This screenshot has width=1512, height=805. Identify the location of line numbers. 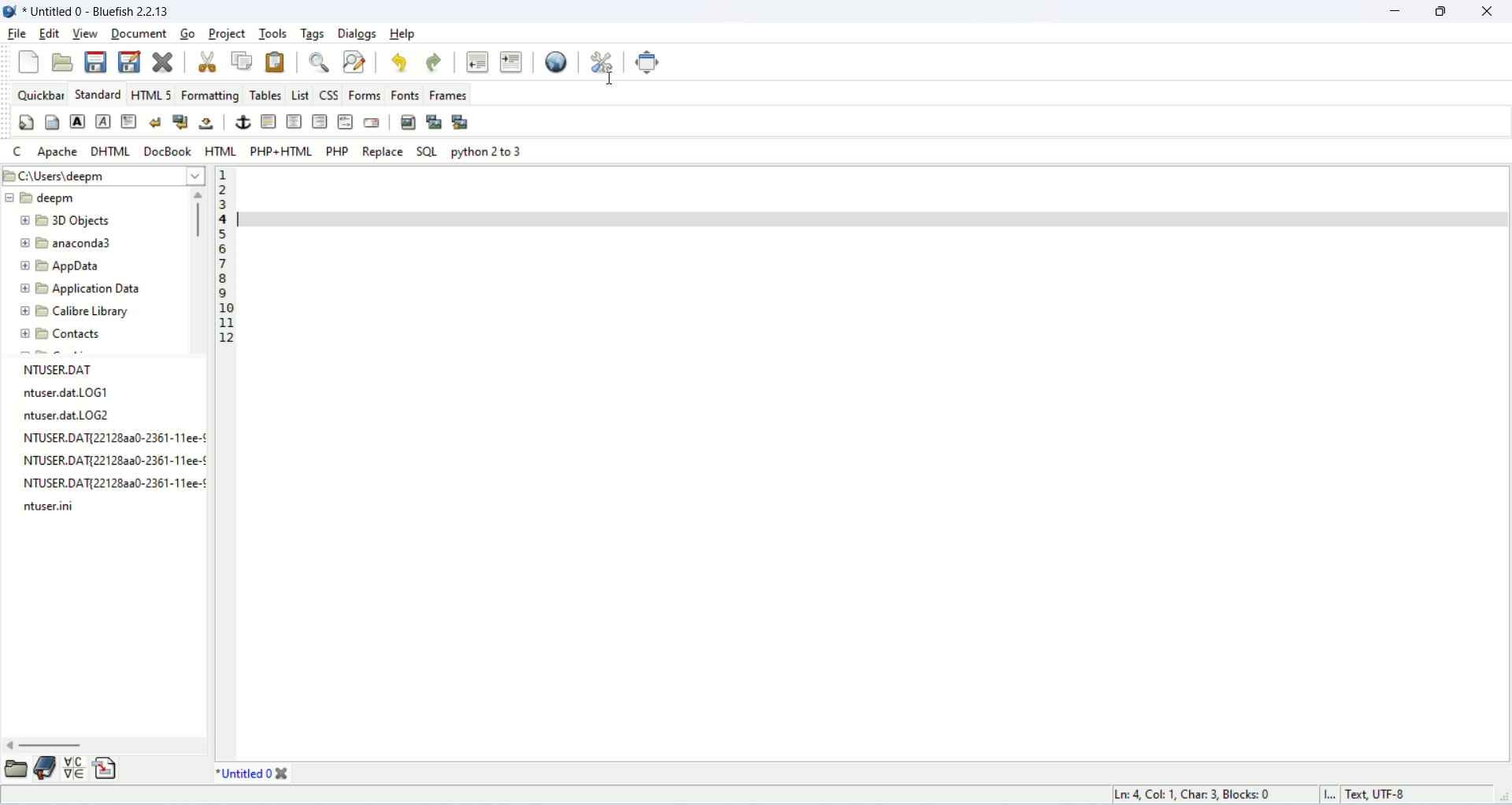
(221, 258).